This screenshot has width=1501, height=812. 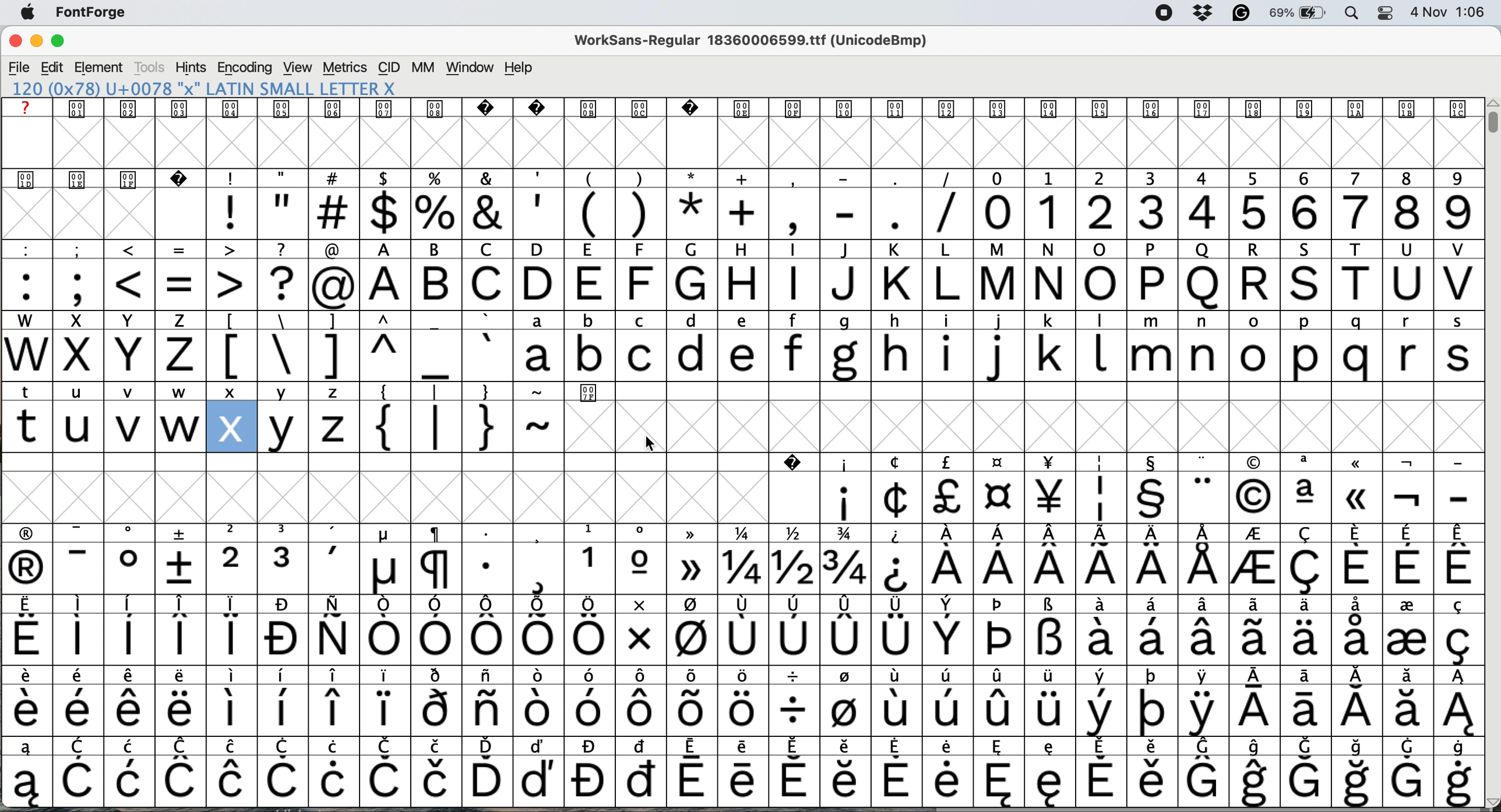 What do you see at coordinates (1078, 428) in the screenshot?
I see `glyph grid` at bounding box center [1078, 428].